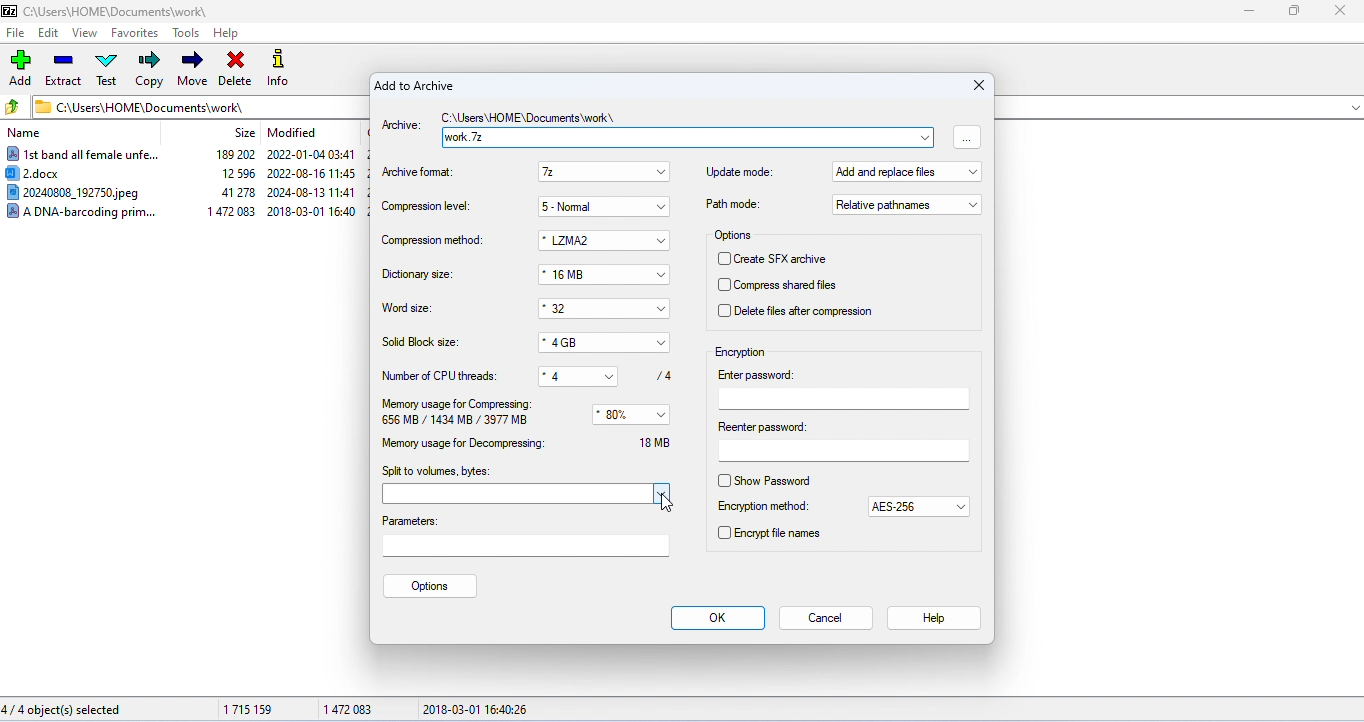 The height and width of the screenshot is (722, 1364). What do you see at coordinates (968, 136) in the screenshot?
I see `browse file and folders` at bounding box center [968, 136].